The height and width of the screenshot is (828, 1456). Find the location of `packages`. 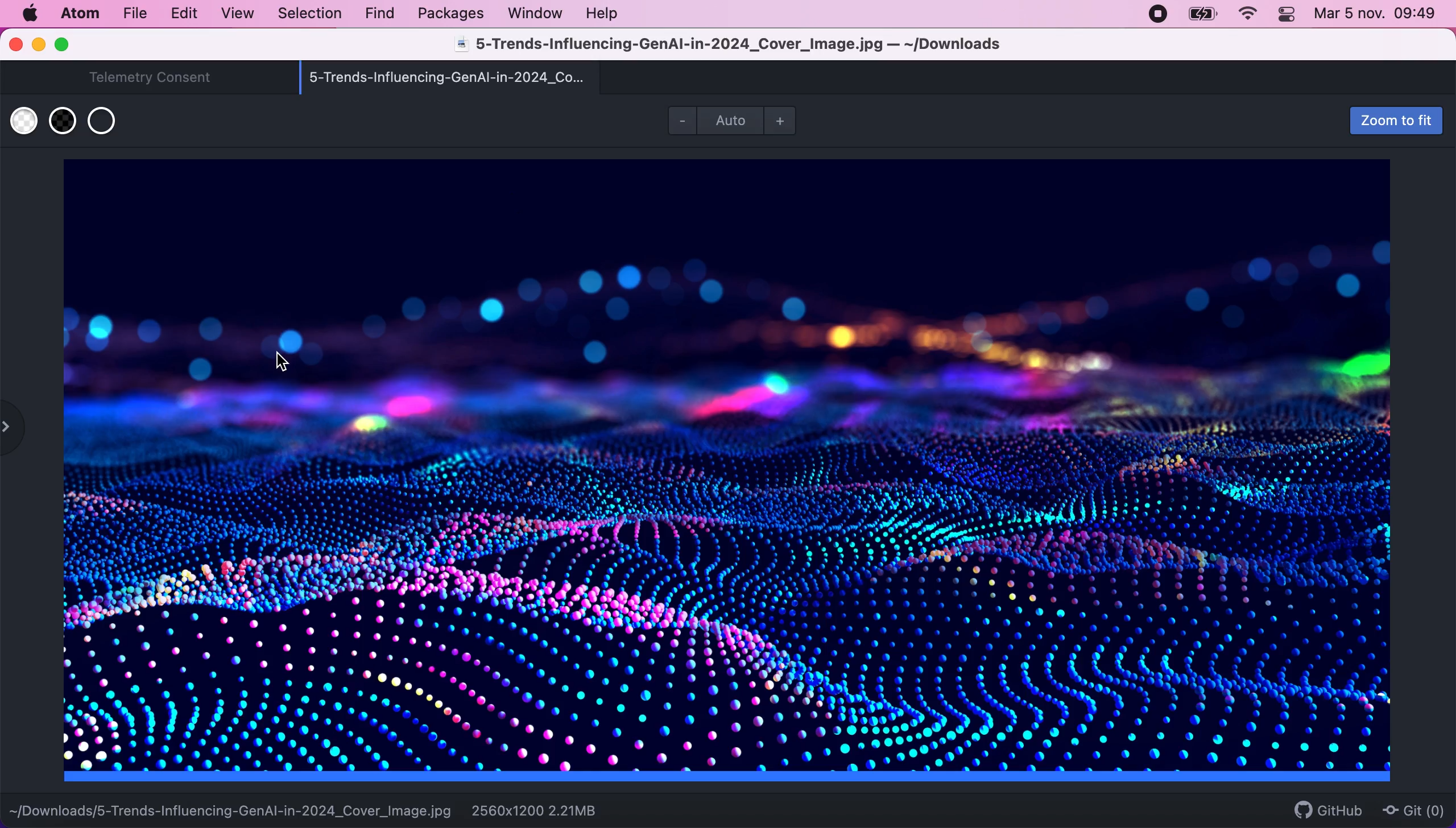

packages is located at coordinates (448, 15).